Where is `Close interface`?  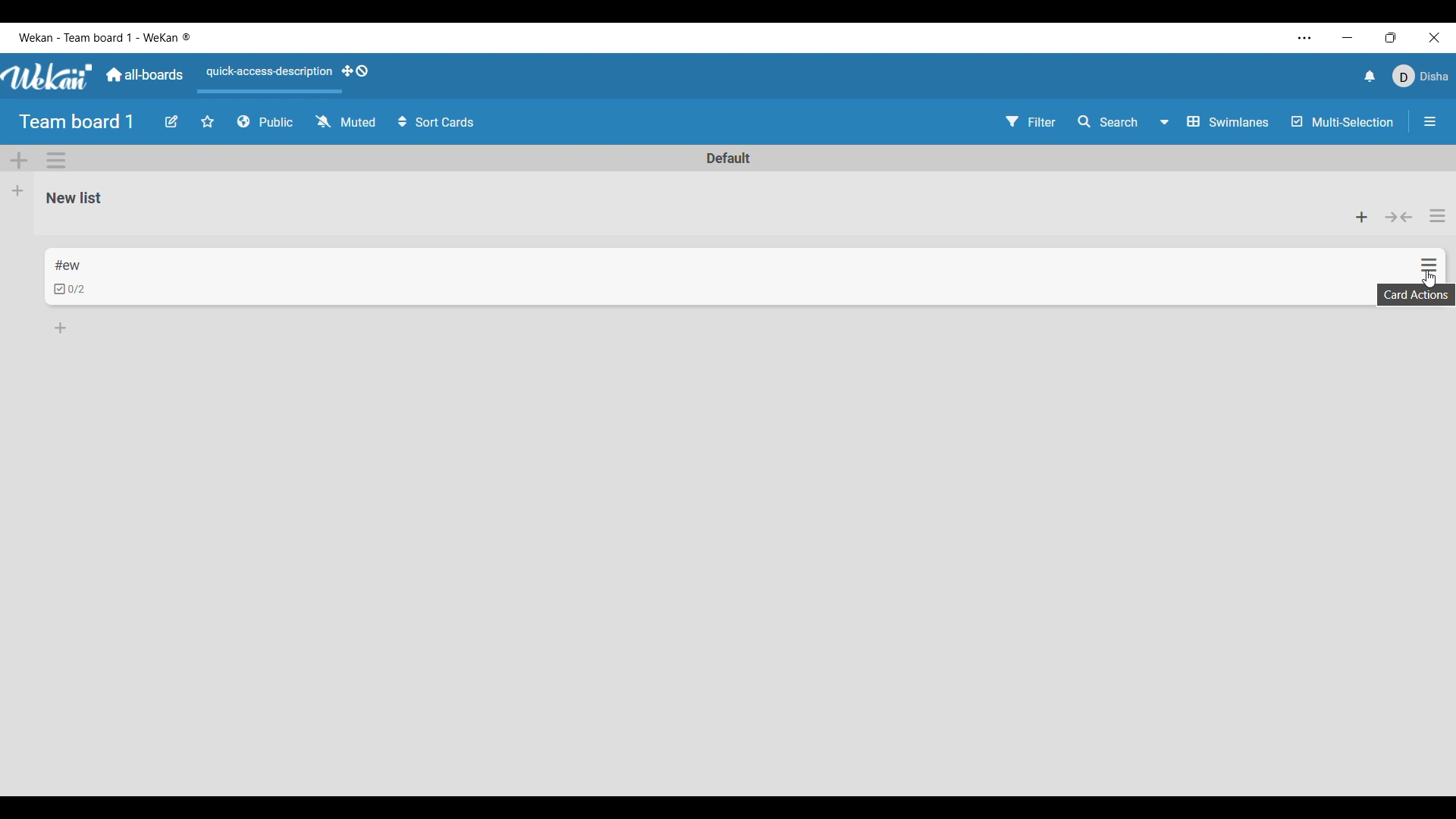
Close interface is located at coordinates (1434, 37).